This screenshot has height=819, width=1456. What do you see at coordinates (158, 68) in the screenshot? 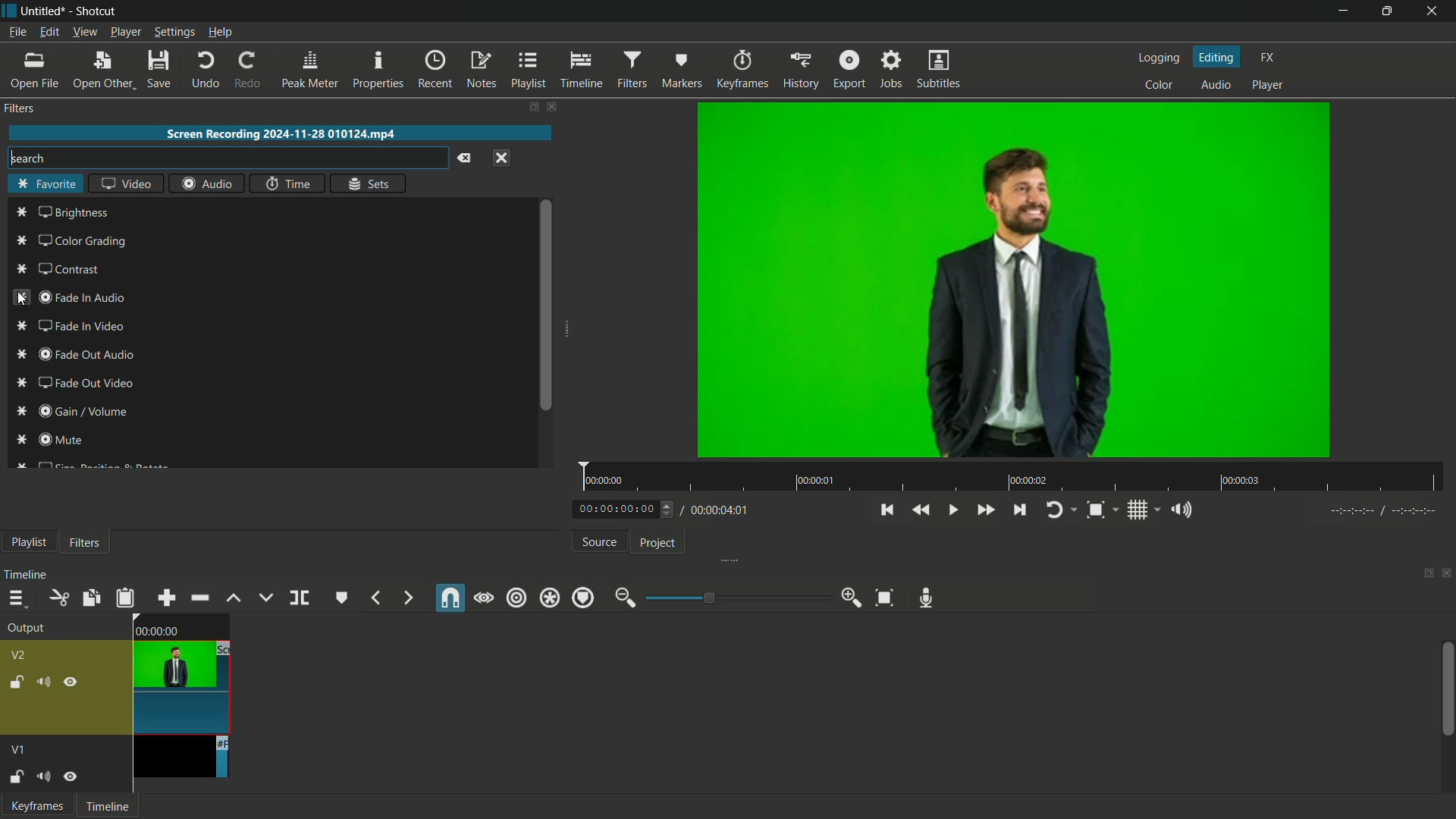
I see `save` at bounding box center [158, 68].